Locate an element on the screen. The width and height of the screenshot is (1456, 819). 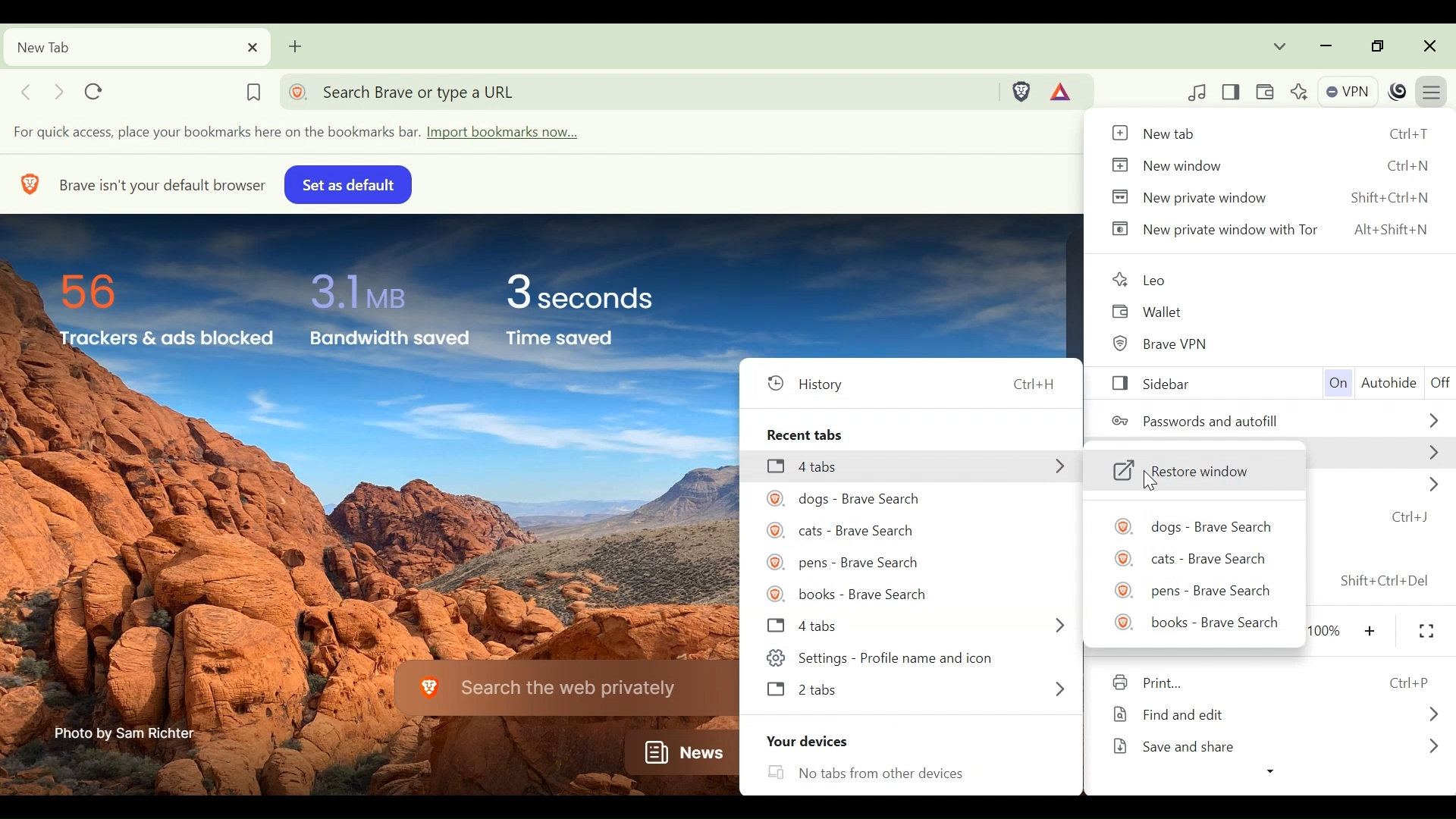
Ctrl+H is located at coordinates (1034, 385).